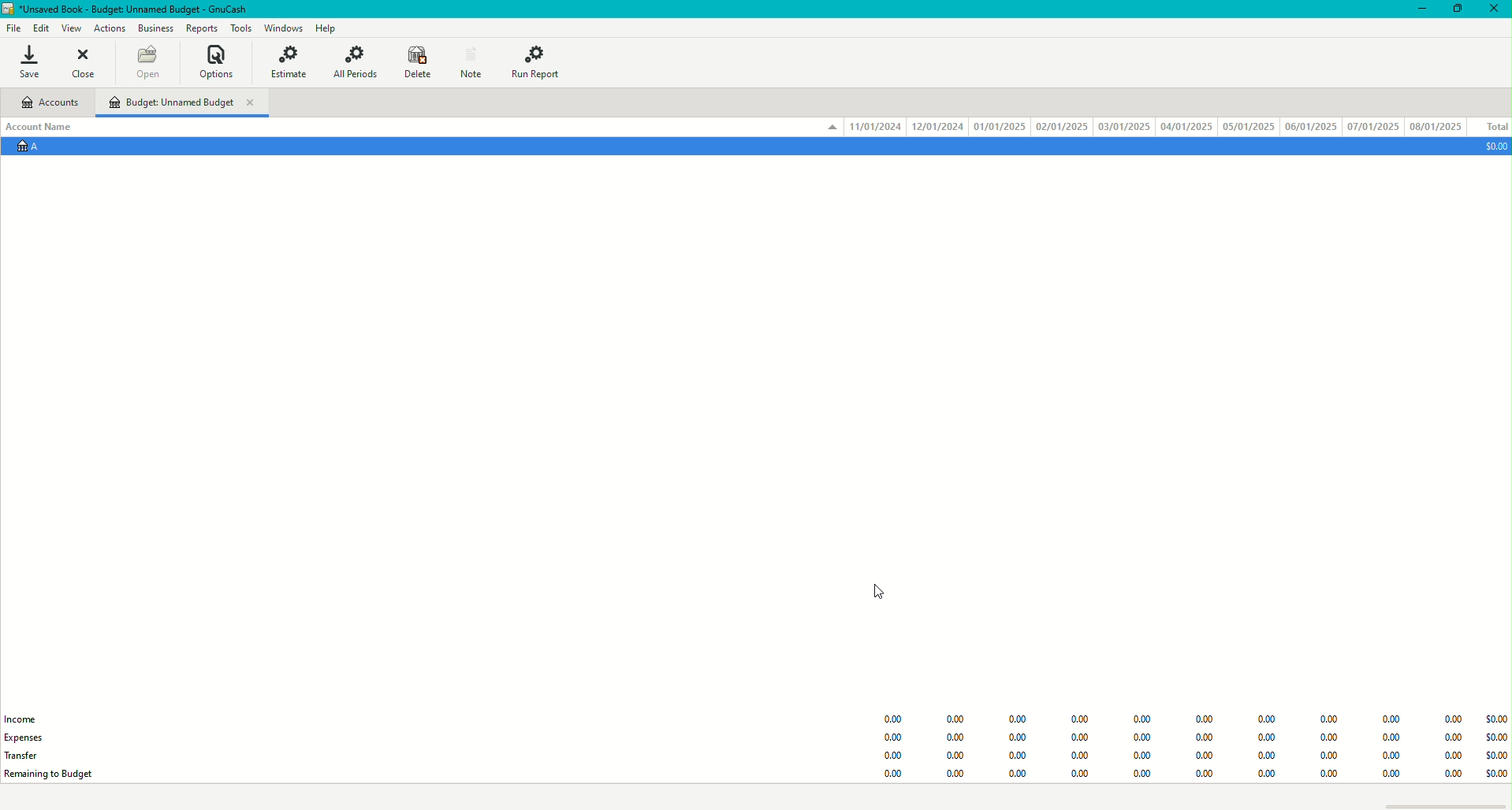 The image size is (1512, 810). What do you see at coordinates (542, 61) in the screenshot?
I see `Run Report` at bounding box center [542, 61].